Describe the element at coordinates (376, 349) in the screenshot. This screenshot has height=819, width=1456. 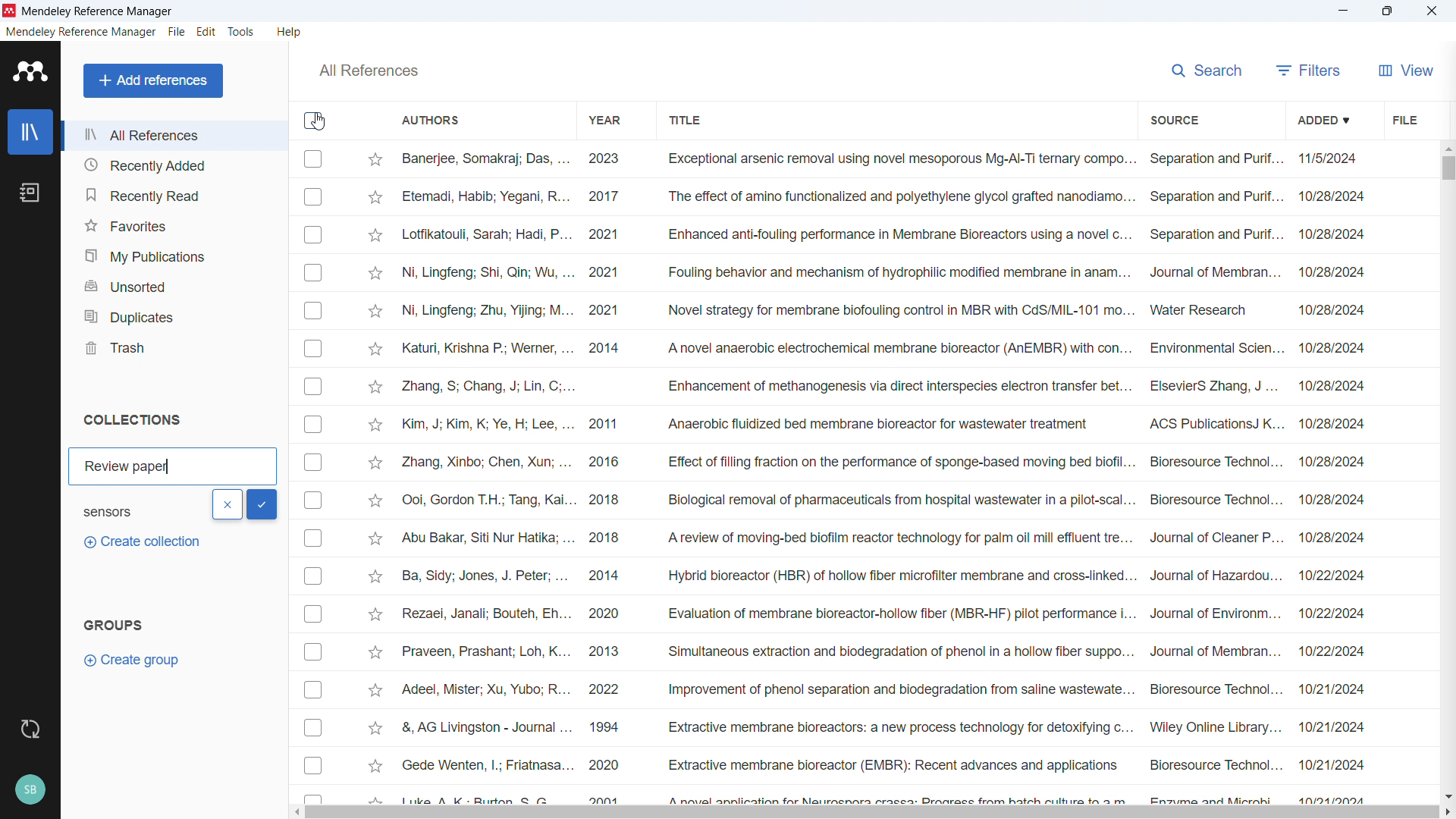
I see `Star mark respective publication` at that location.